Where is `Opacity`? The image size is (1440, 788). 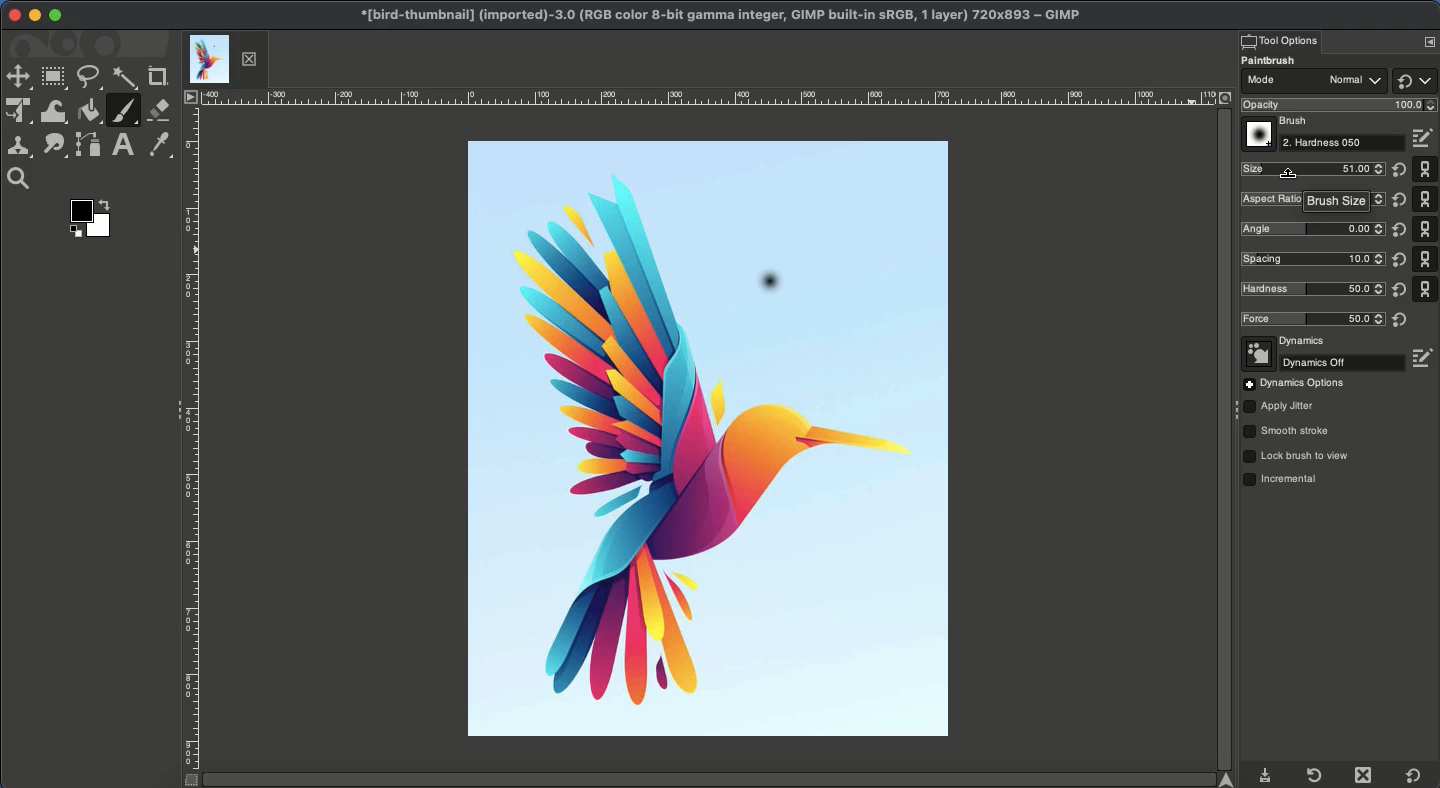 Opacity is located at coordinates (1336, 105).